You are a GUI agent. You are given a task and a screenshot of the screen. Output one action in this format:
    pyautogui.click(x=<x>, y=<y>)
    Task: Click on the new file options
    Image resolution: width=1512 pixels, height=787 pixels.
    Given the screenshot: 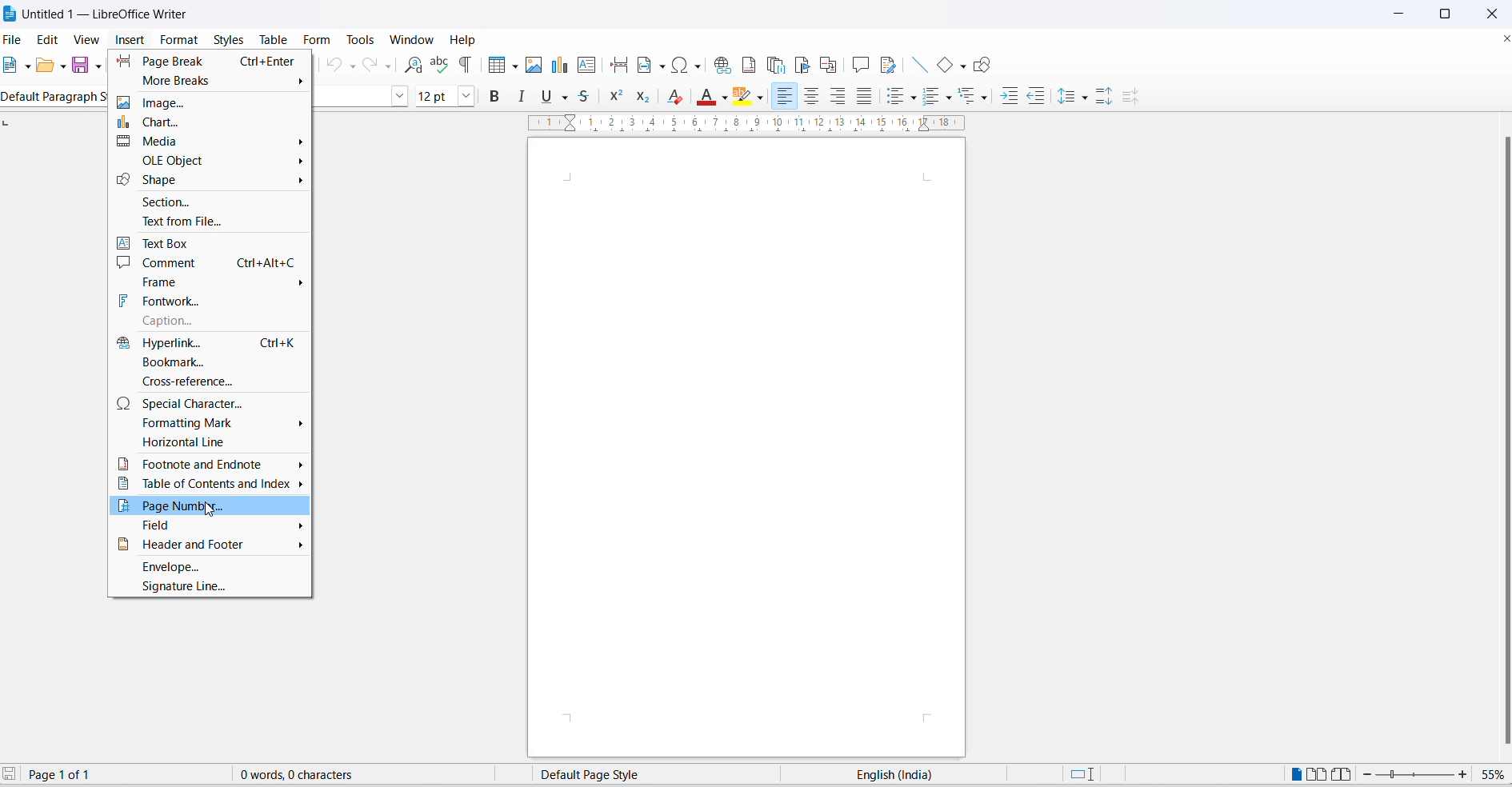 What is the action you would take?
    pyautogui.click(x=27, y=66)
    